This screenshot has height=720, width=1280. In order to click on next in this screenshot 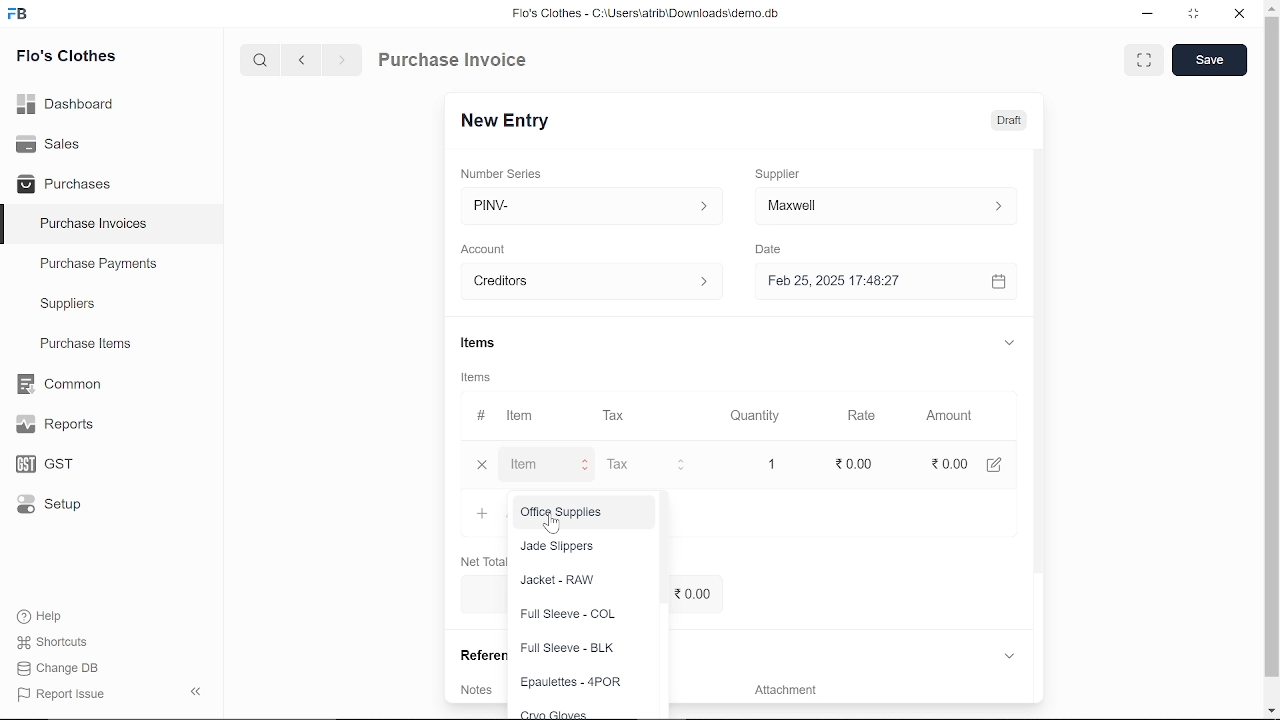, I will do `click(342, 63)`.